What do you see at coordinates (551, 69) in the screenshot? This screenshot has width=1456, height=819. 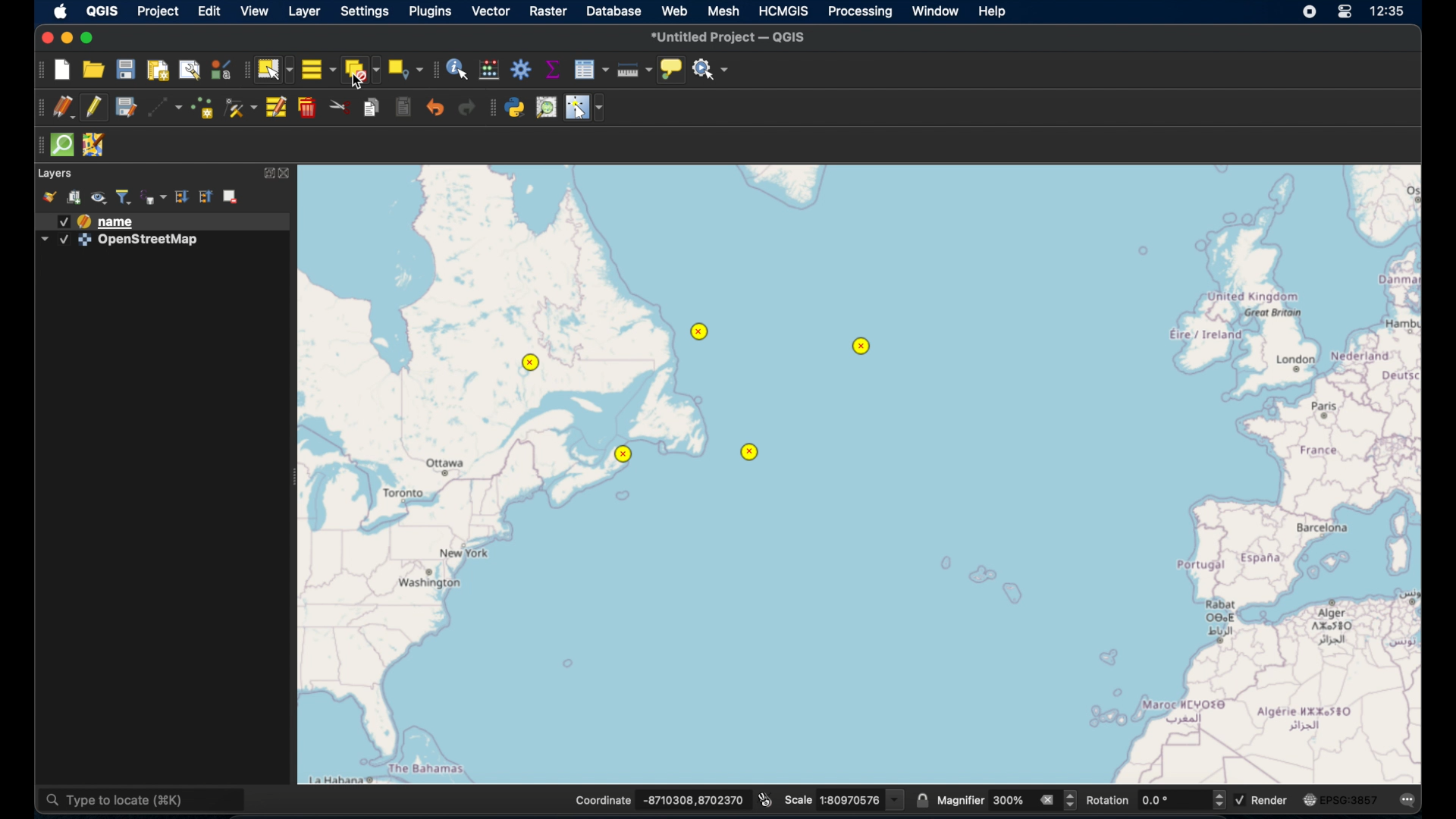 I see `show statistical summary` at bounding box center [551, 69].